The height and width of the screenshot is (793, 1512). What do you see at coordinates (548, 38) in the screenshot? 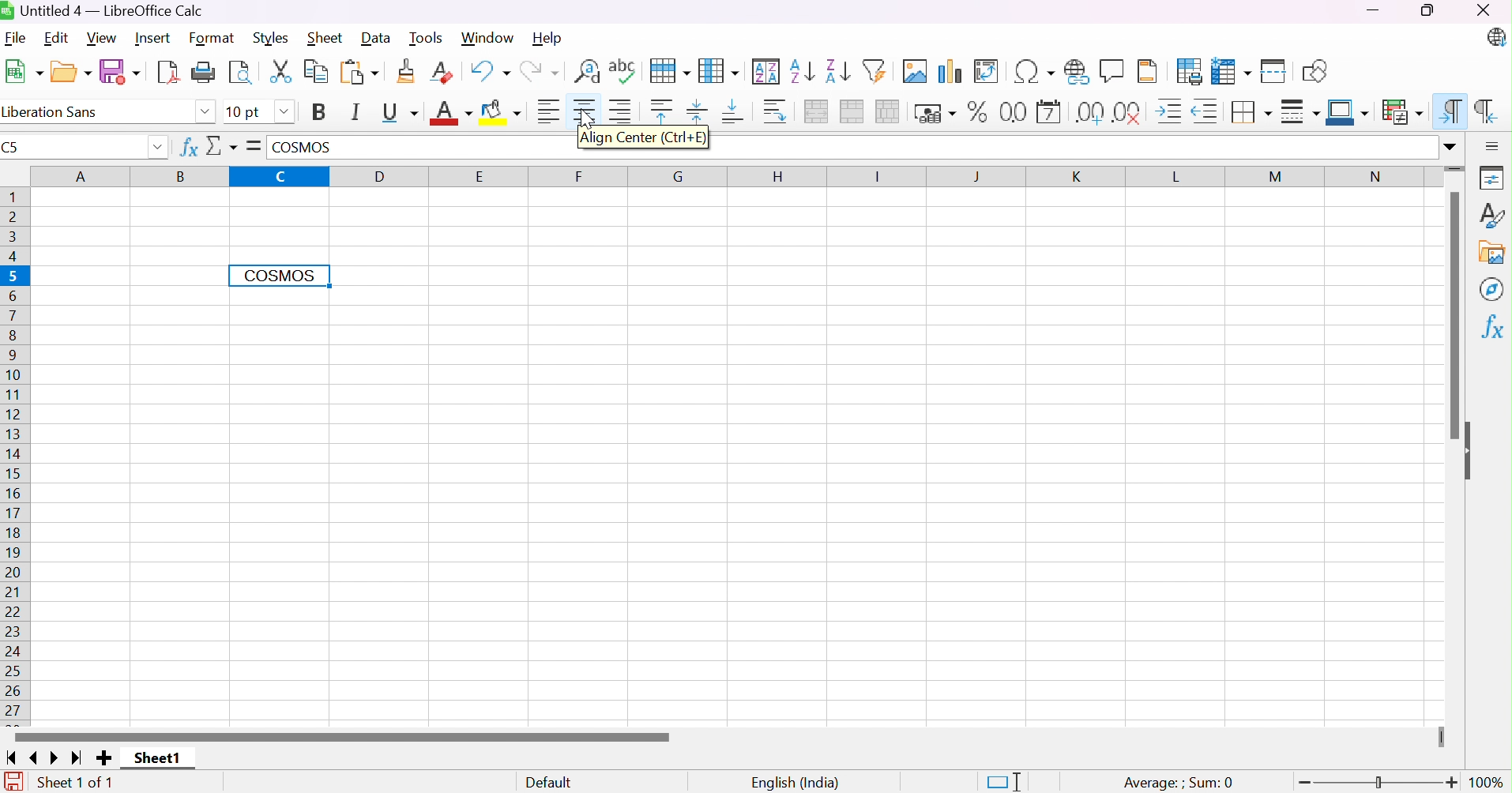
I see `Help` at bounding box center [548, 38].